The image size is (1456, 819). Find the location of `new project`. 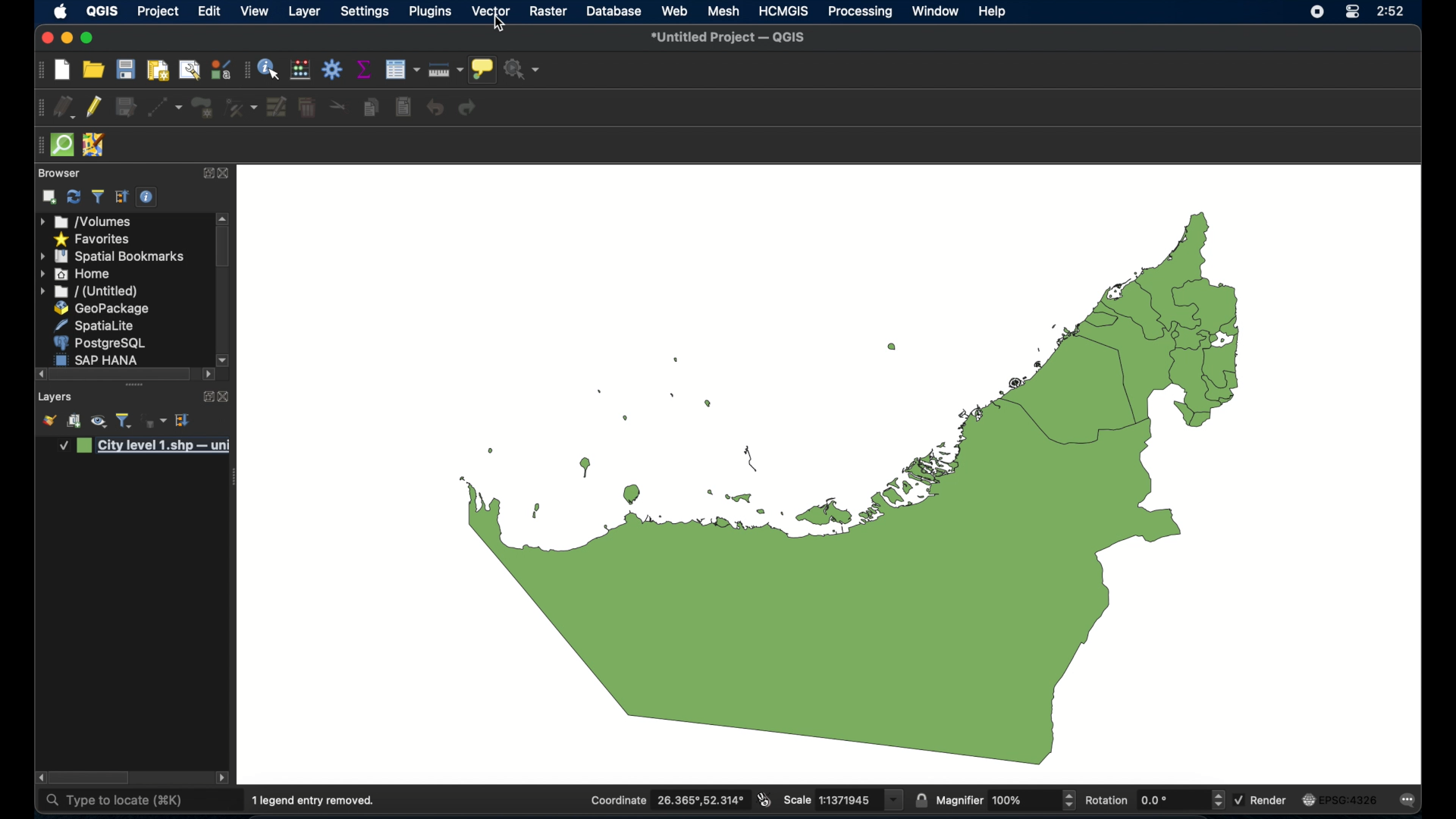

new project is located at coordinates (63, 71).